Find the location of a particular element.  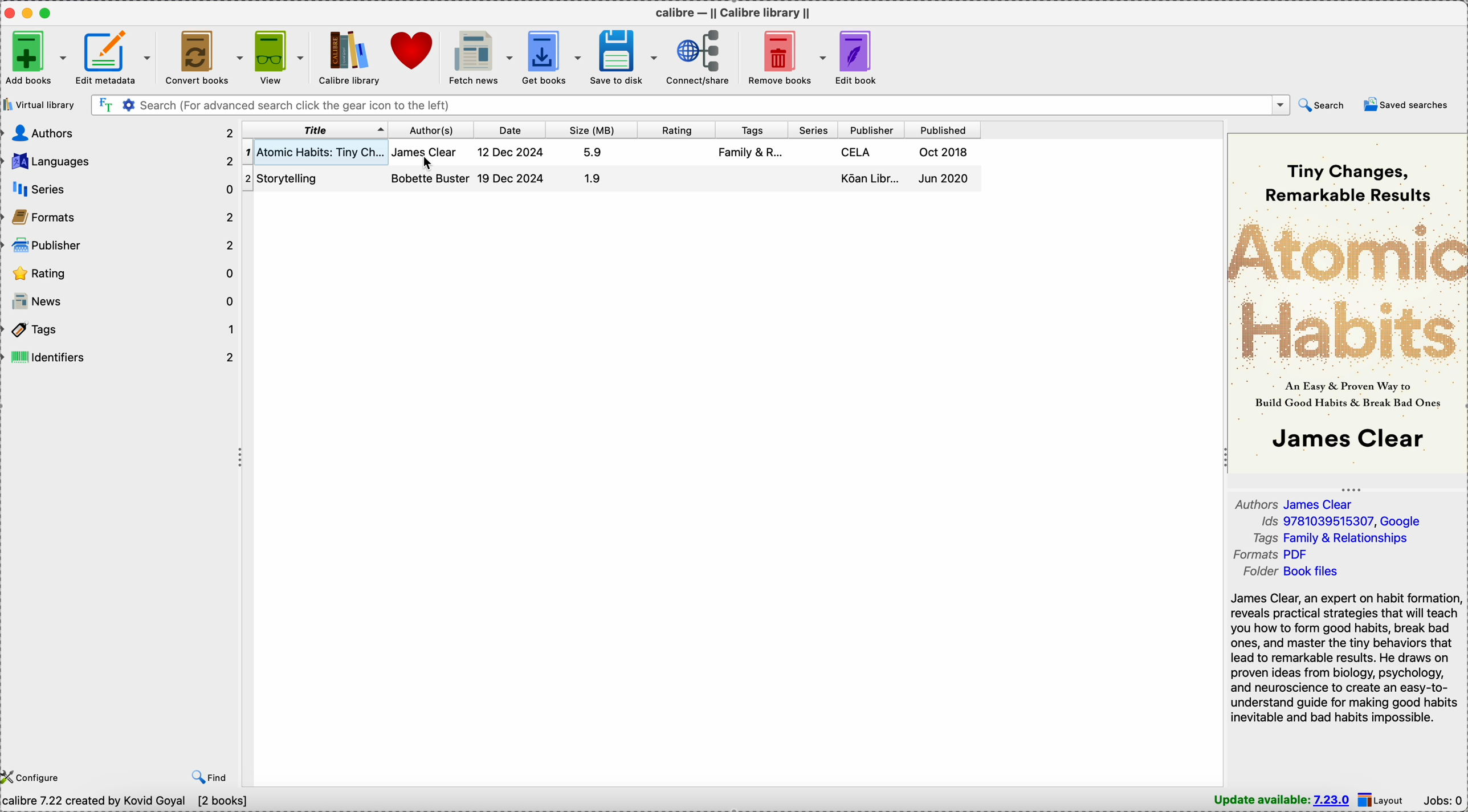

remove books is located at coordinates (784, 56).